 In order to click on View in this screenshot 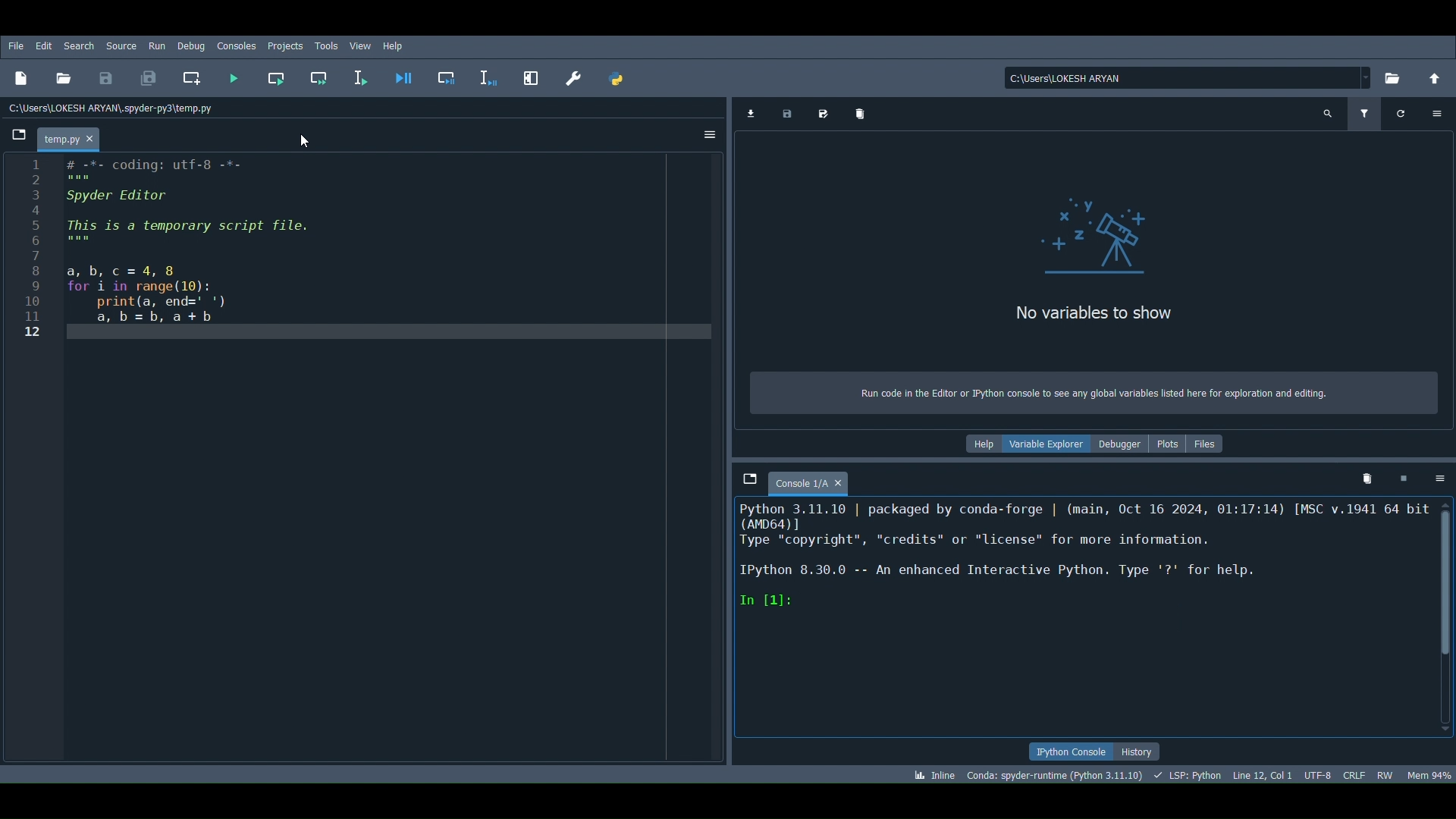, I will do `click(359, 45)`.